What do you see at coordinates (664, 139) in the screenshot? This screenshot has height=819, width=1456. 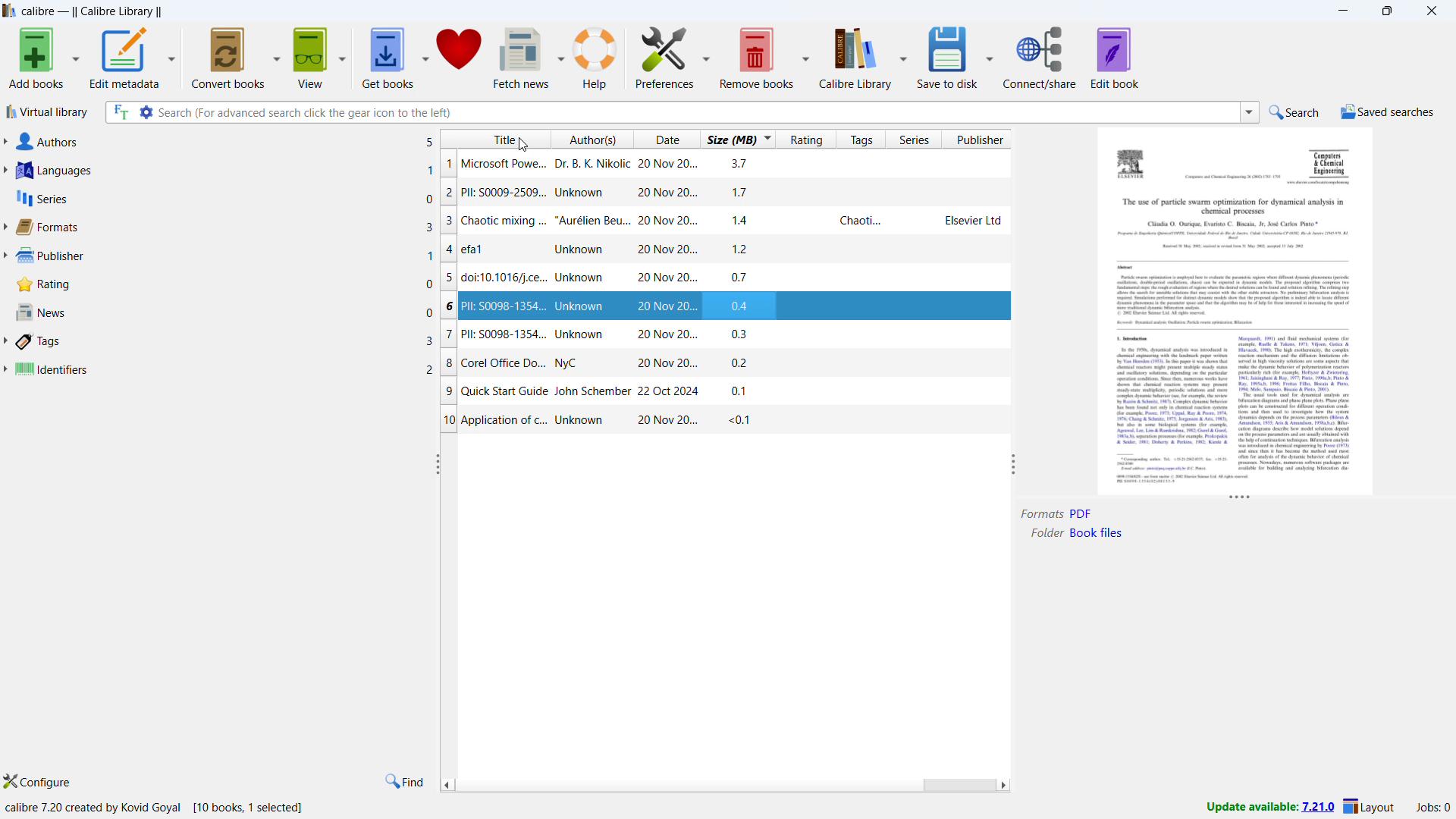 I see `sort by date` at bounding box center [664, 139].